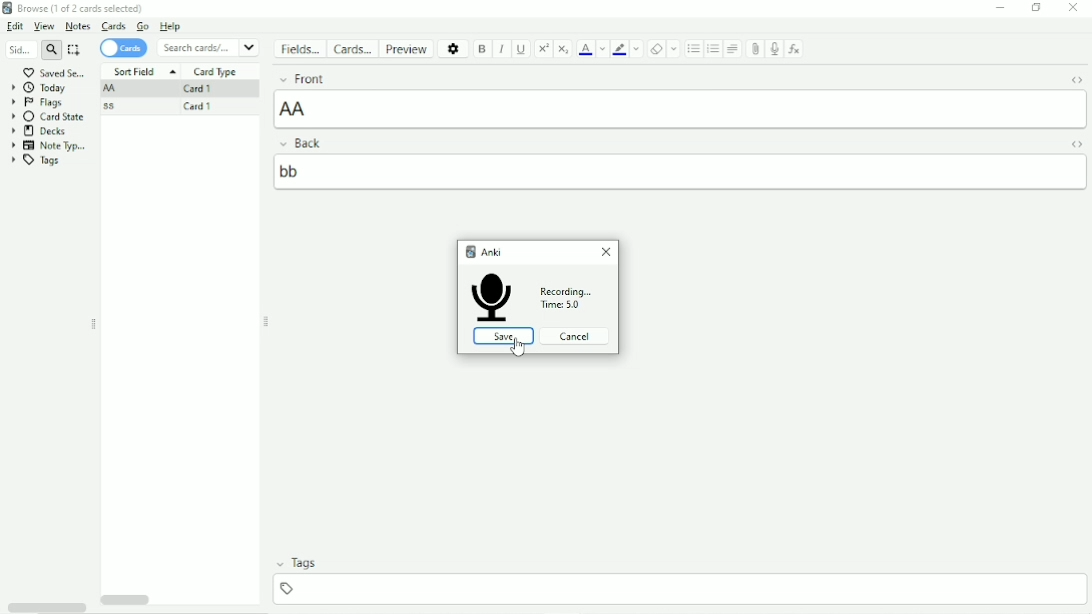 This screenshot has height=614, width=1092. Describe the element at coordinates (638, 48) in the screenshot. I see `Change color` at that location.